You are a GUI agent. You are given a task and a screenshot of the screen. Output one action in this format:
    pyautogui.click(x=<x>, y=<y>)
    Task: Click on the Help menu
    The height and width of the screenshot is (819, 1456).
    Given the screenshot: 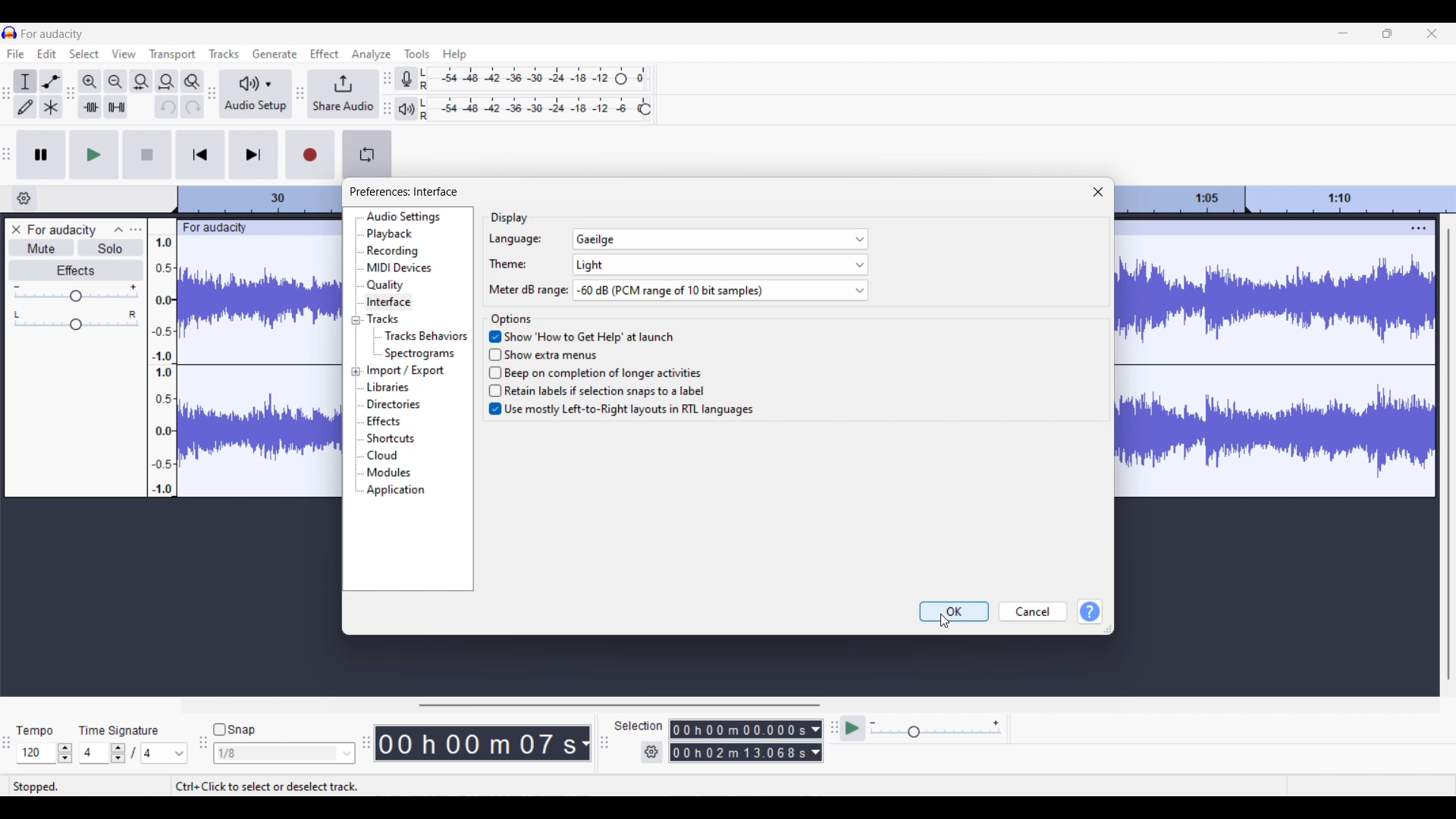 What is the action you would take?
    pyautogui.click(x=455, y=55)
    